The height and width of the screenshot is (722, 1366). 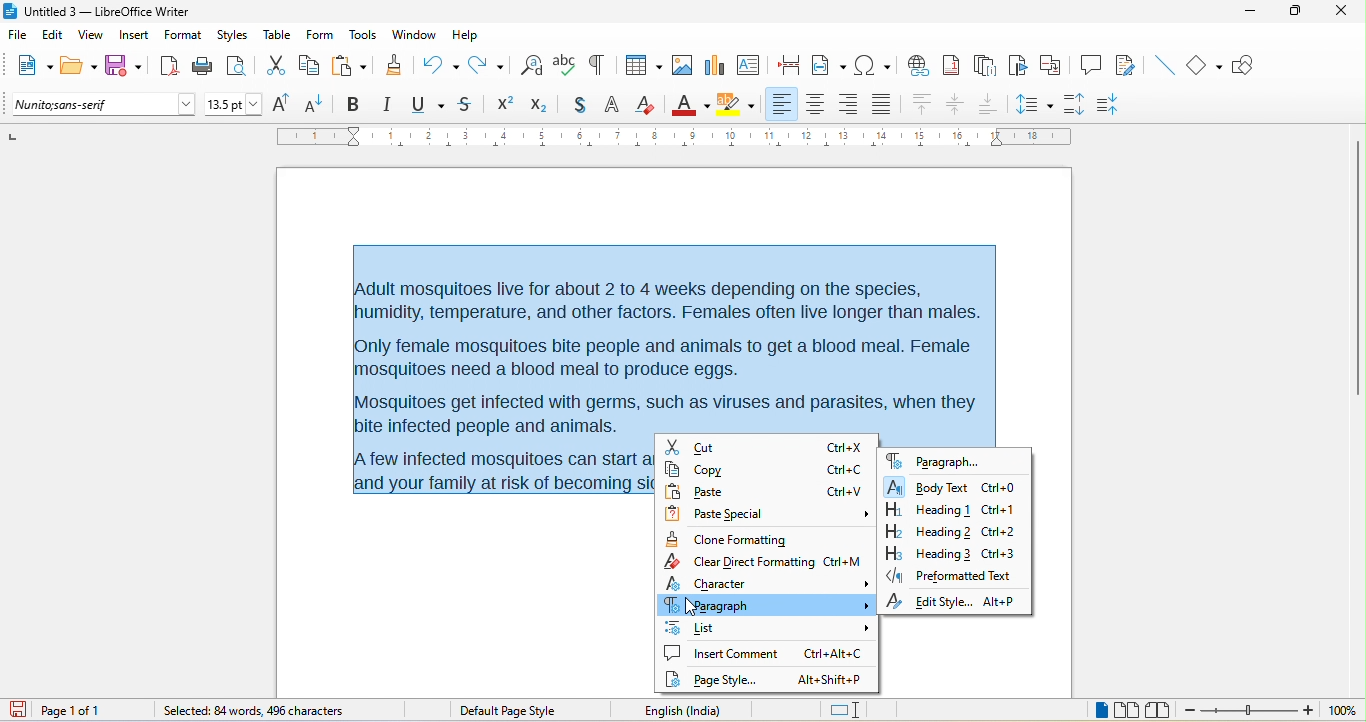 I want to click on new, so click(x=31, y=68).